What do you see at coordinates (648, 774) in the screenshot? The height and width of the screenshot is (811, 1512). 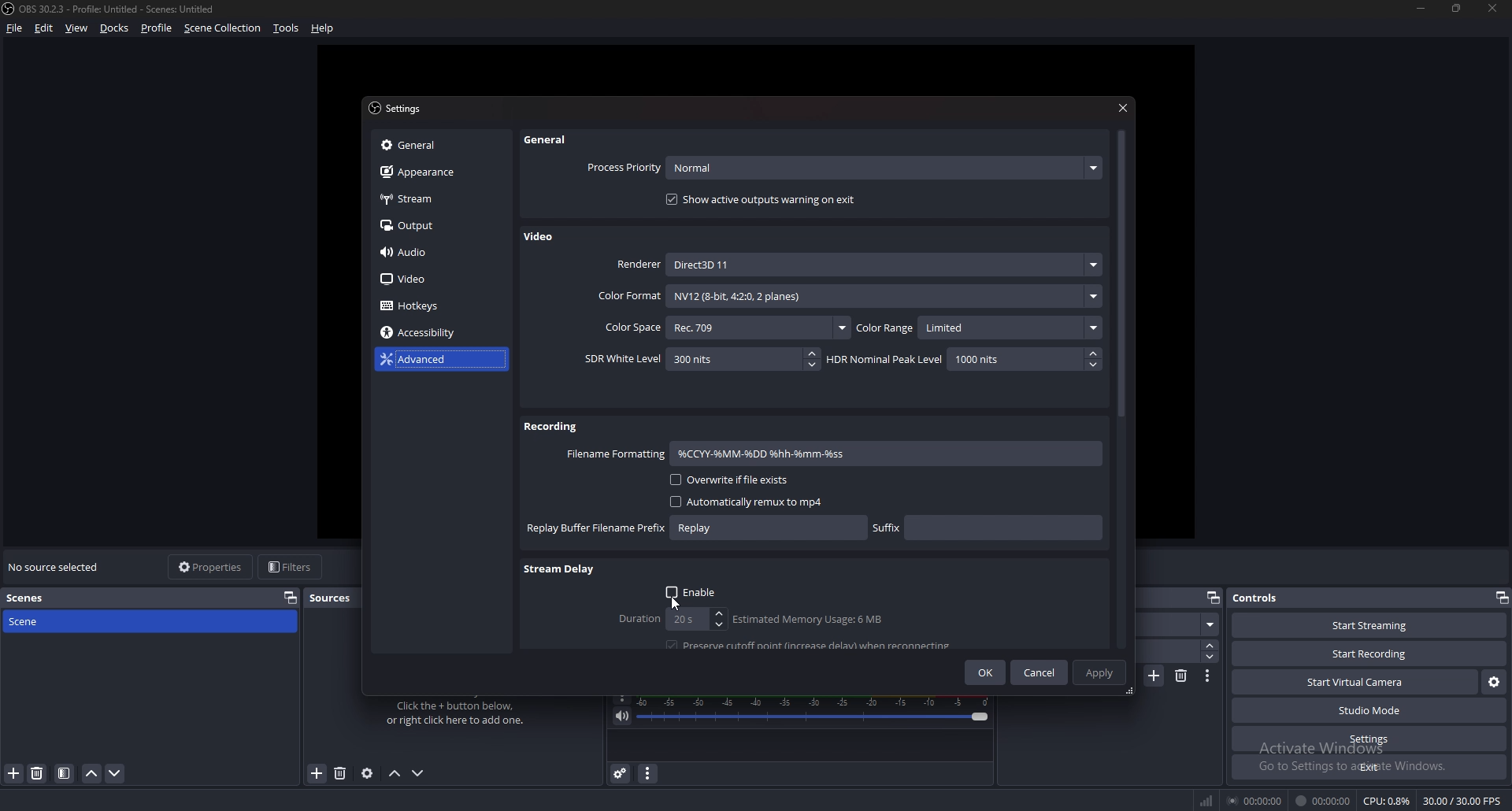 I see `audio mixer menu` at bounding box center [648, 774].